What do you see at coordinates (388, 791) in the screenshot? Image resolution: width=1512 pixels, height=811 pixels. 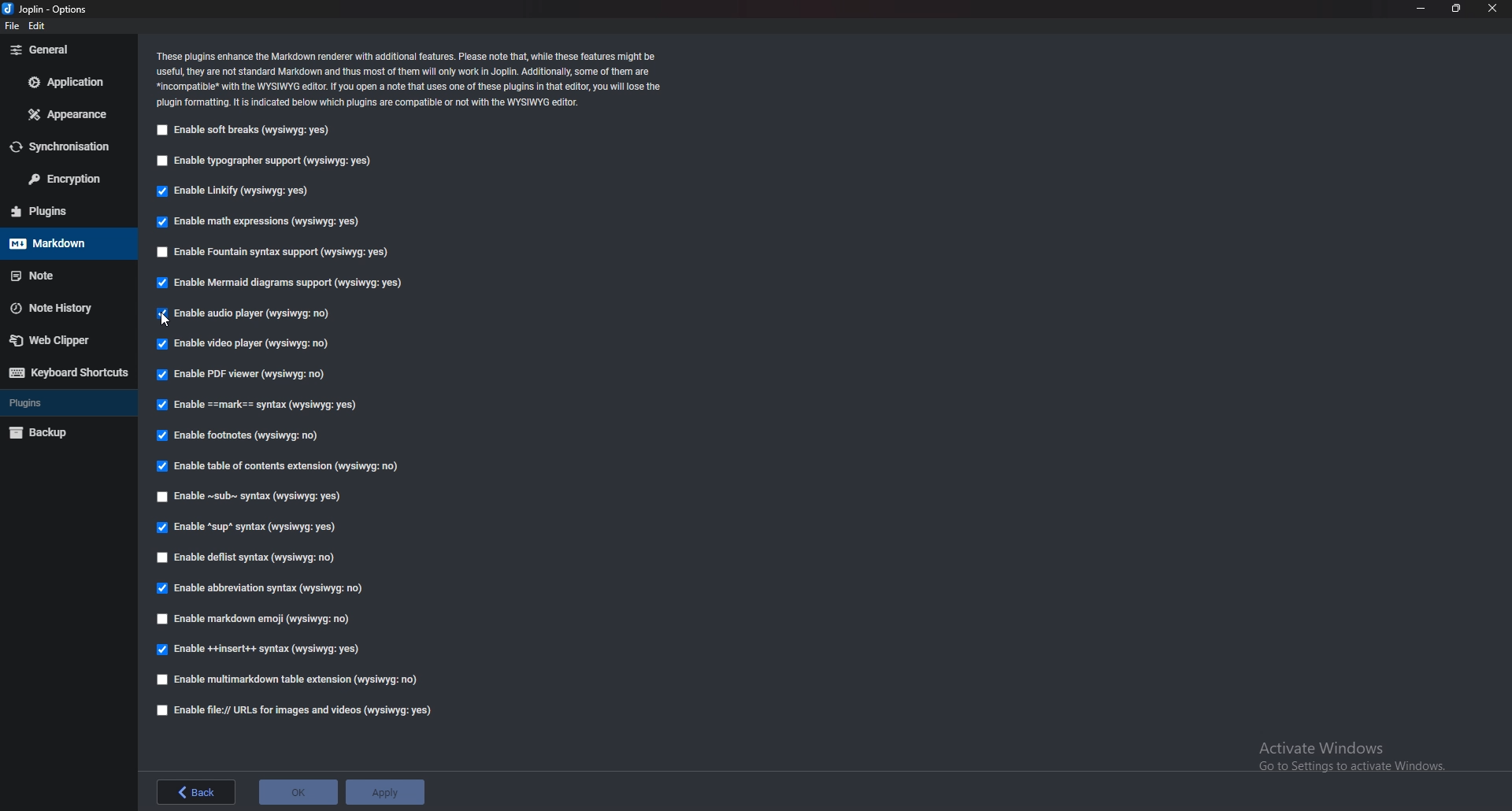 I see `apply` at bounding box center [388, 791].